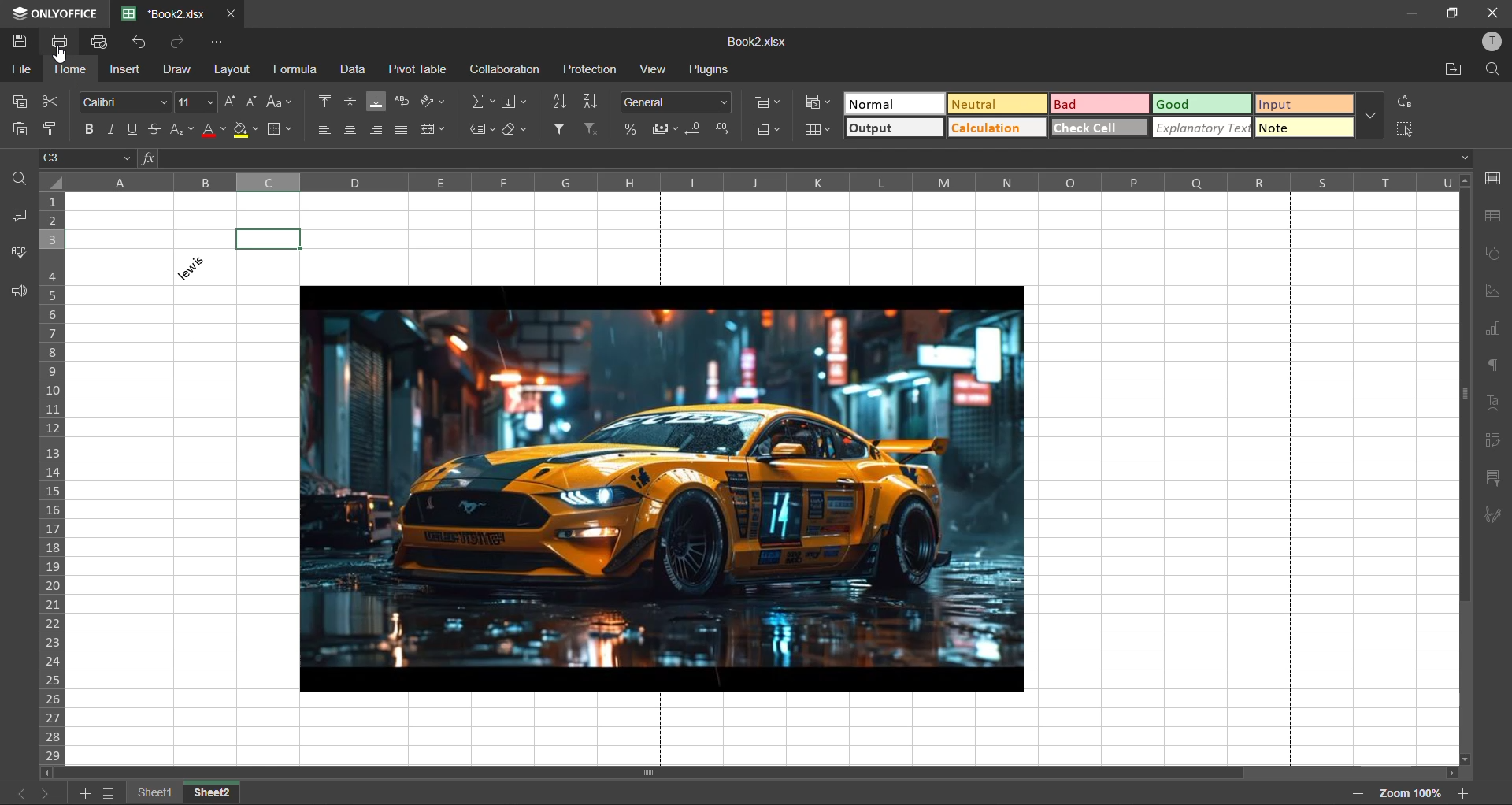 The height and width of the screenshot is (805, 1512). Describe the element at coordinates (505, 69) in the screenshot. I see `collaboration` at that location.